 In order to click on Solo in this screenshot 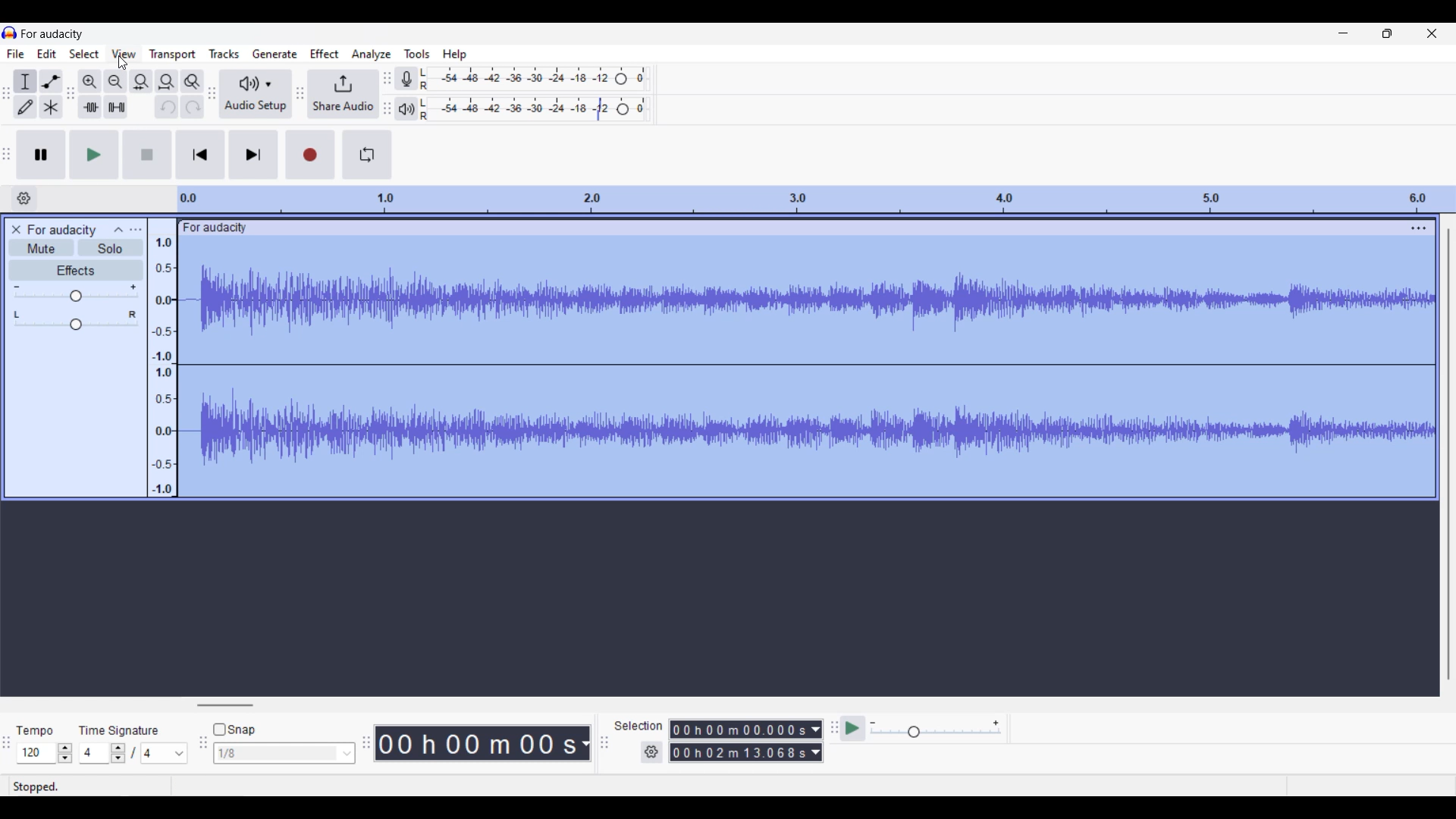, I will do `click(111, 248)`.